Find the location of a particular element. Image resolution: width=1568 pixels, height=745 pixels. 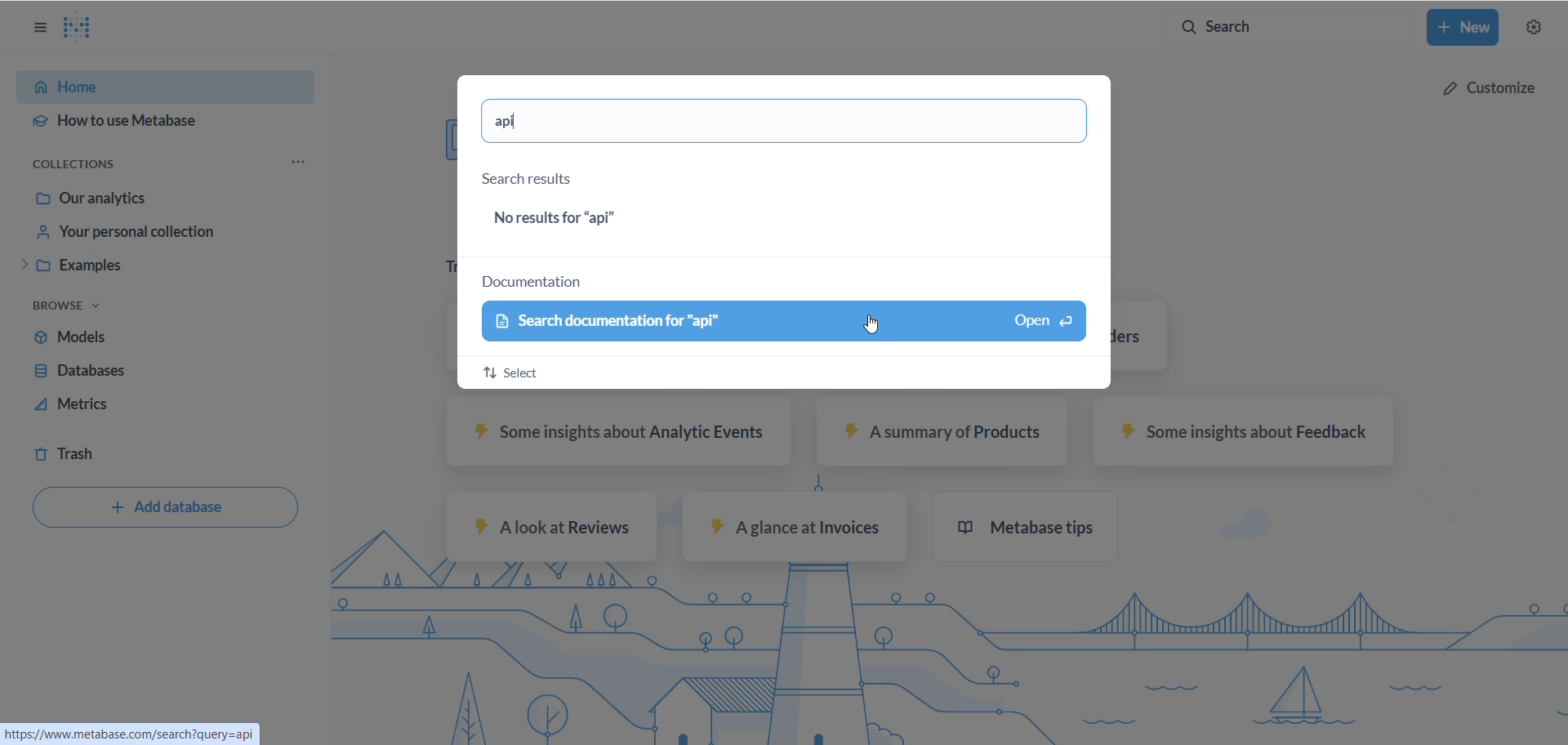

A summary of products is located at coordinates (944, 433).